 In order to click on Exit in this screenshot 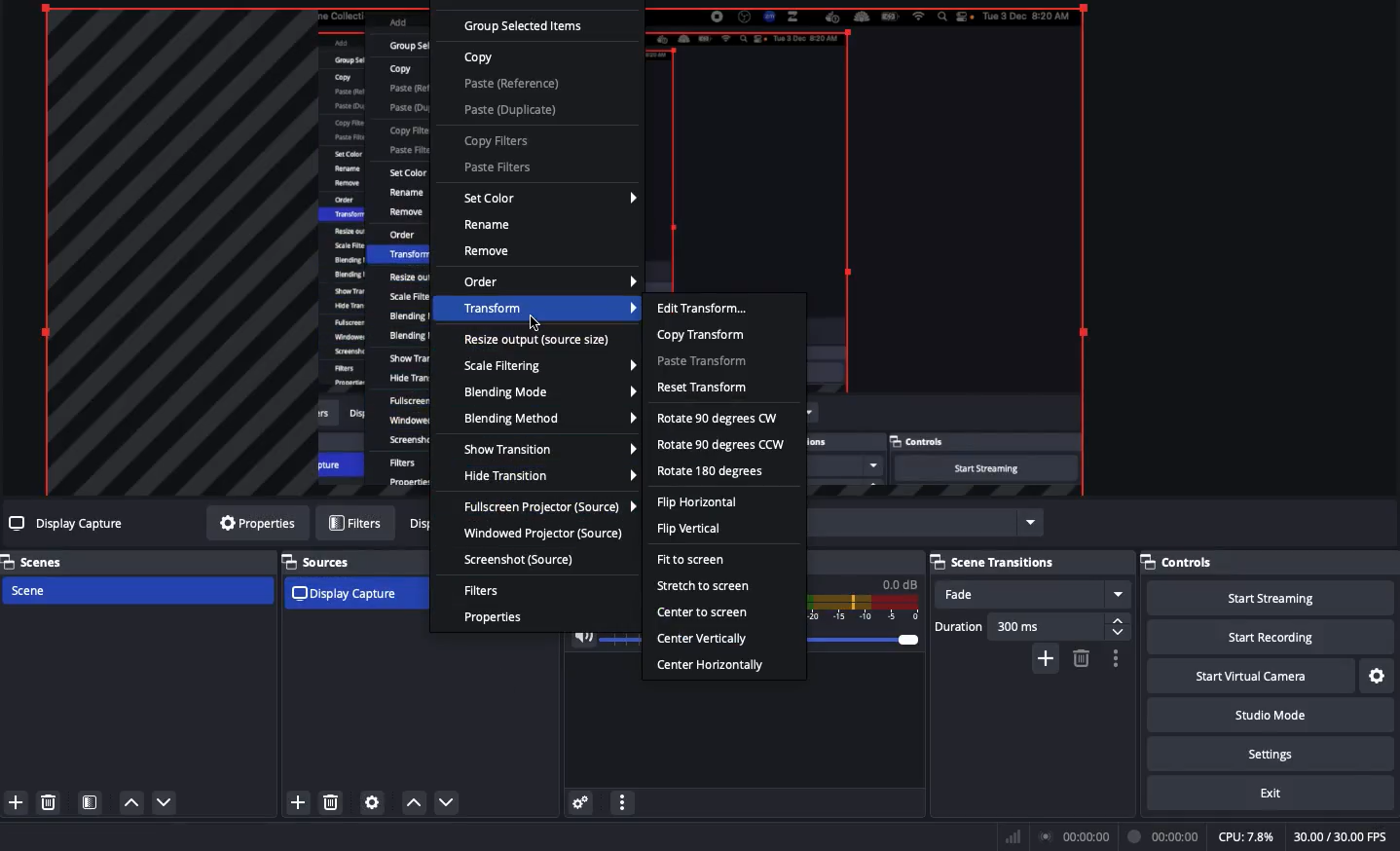, I will do `click(1270, 795)`.